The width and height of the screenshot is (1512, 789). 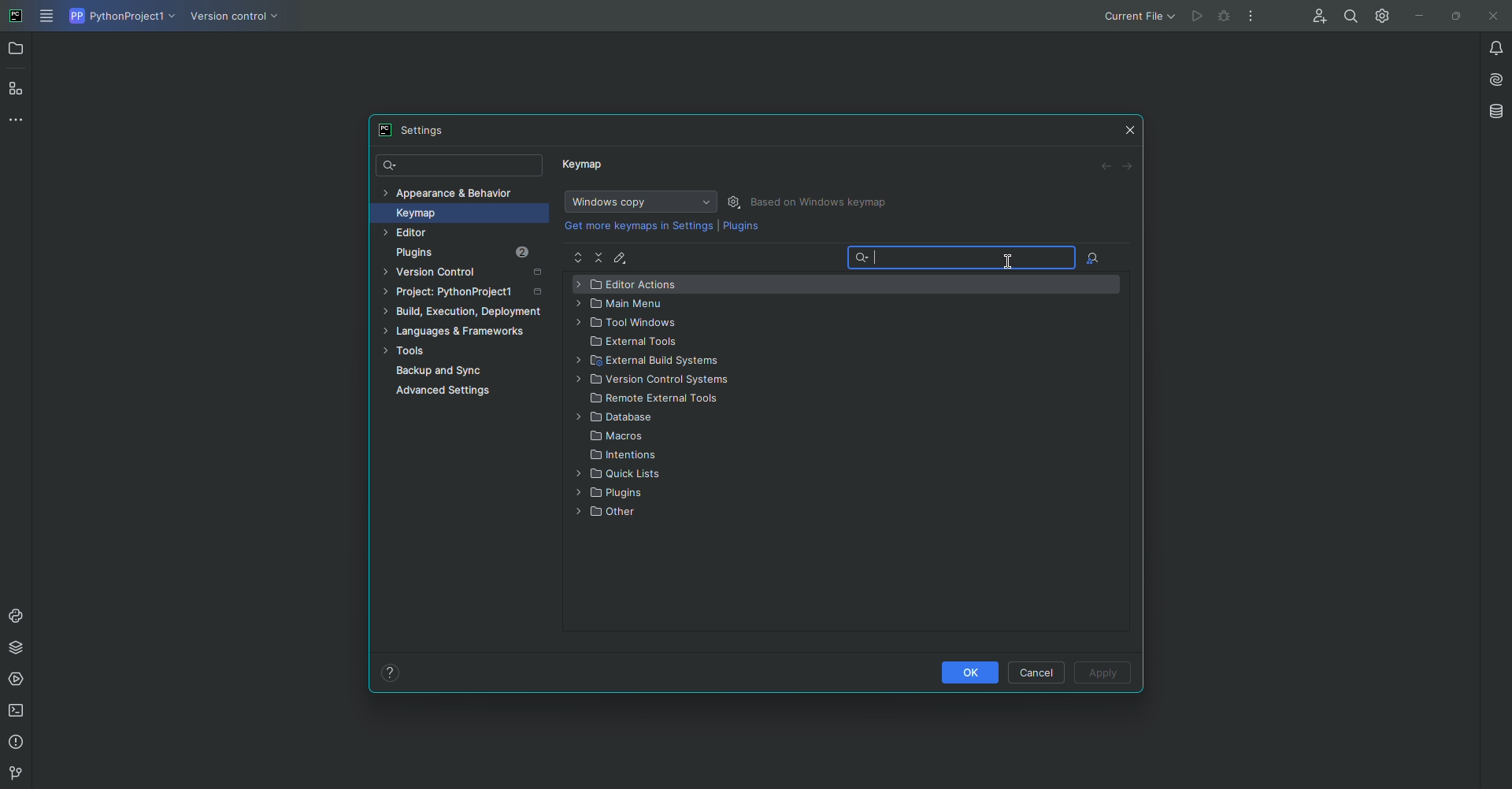 What do you see at coordinates (1039, 672) in the screenshot?
I see `Cancel` at bounding box center [1039, 672].